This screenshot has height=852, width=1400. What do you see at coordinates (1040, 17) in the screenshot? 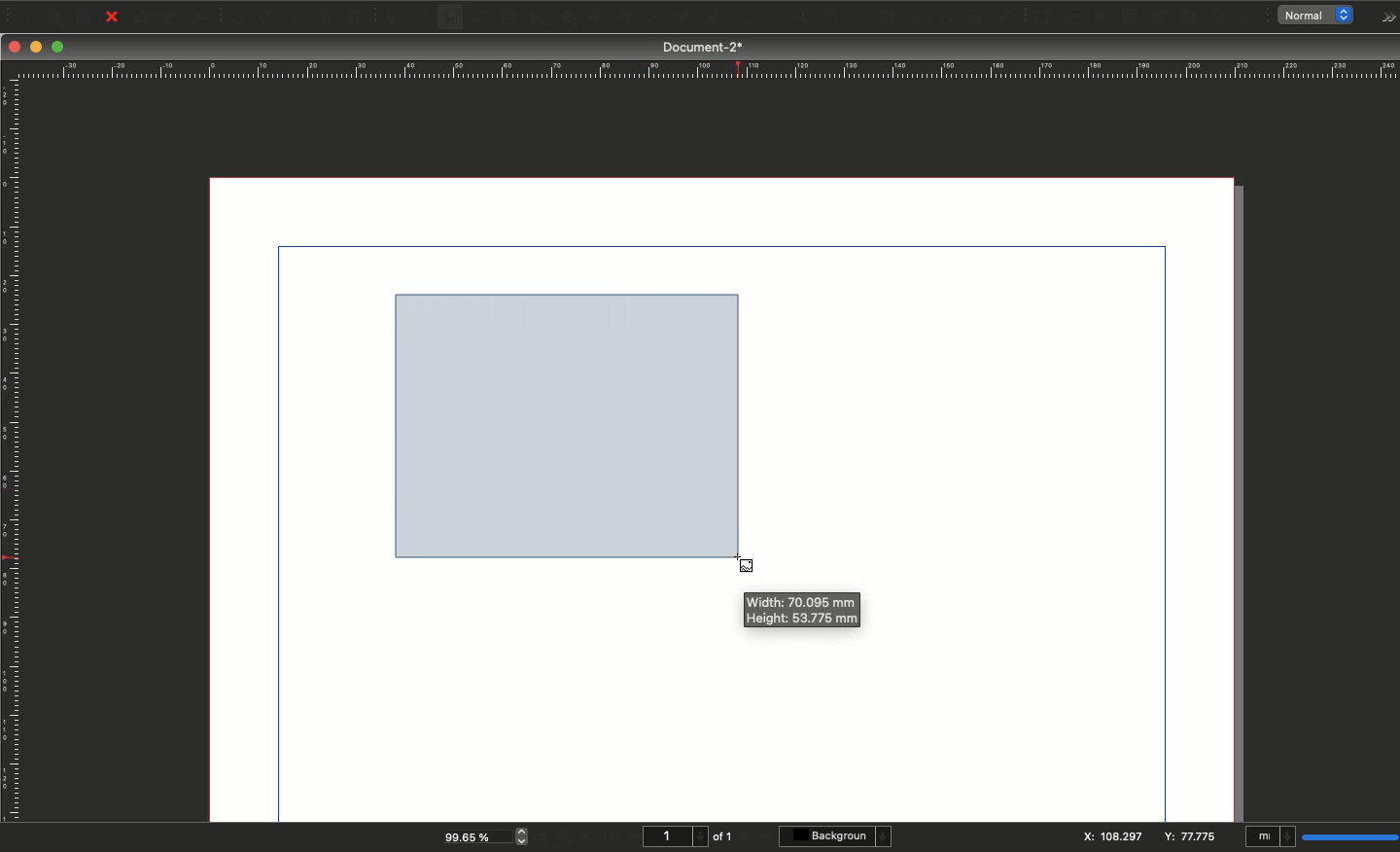
I see `PDF push button` at bounding box center [1040, 17].